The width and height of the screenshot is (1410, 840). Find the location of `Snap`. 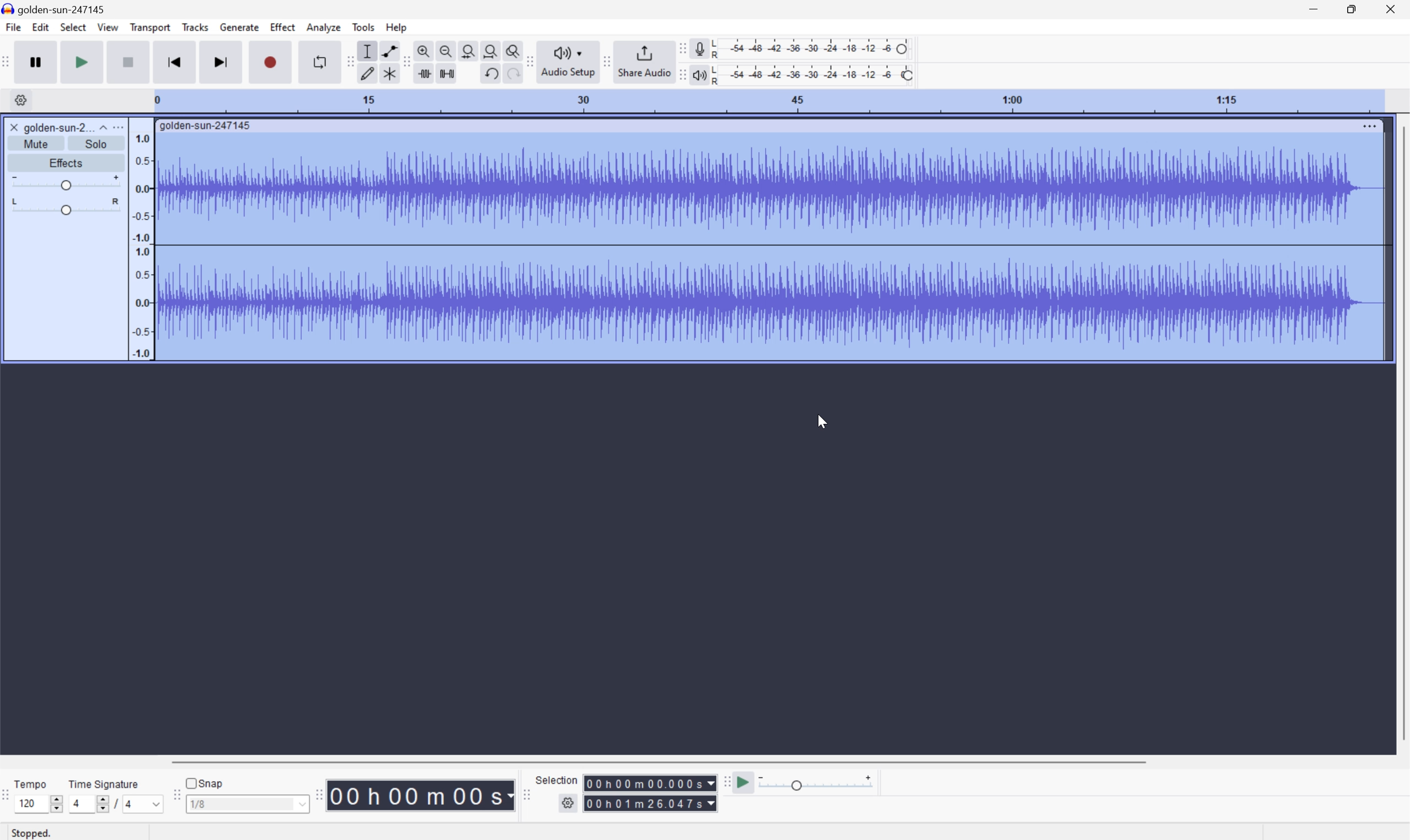

Snap is located at coordinates (206, 782).